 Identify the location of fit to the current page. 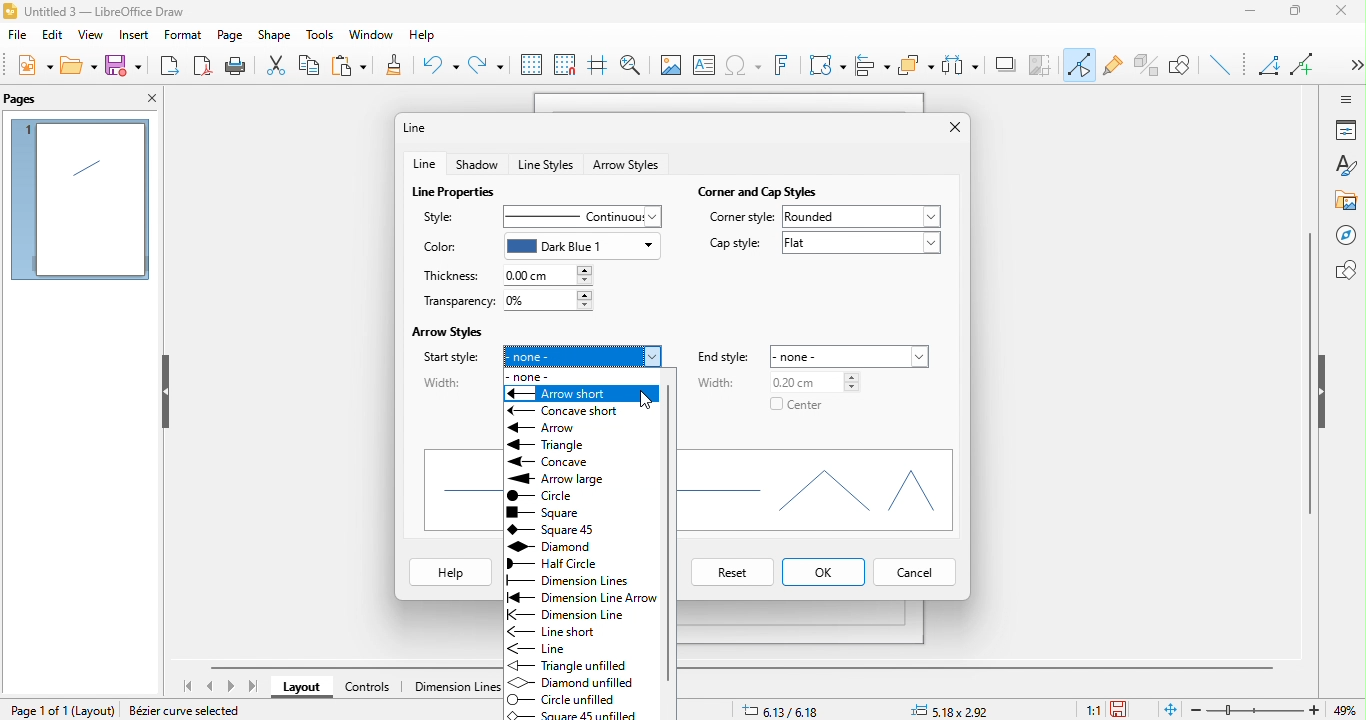
(1168, 709).